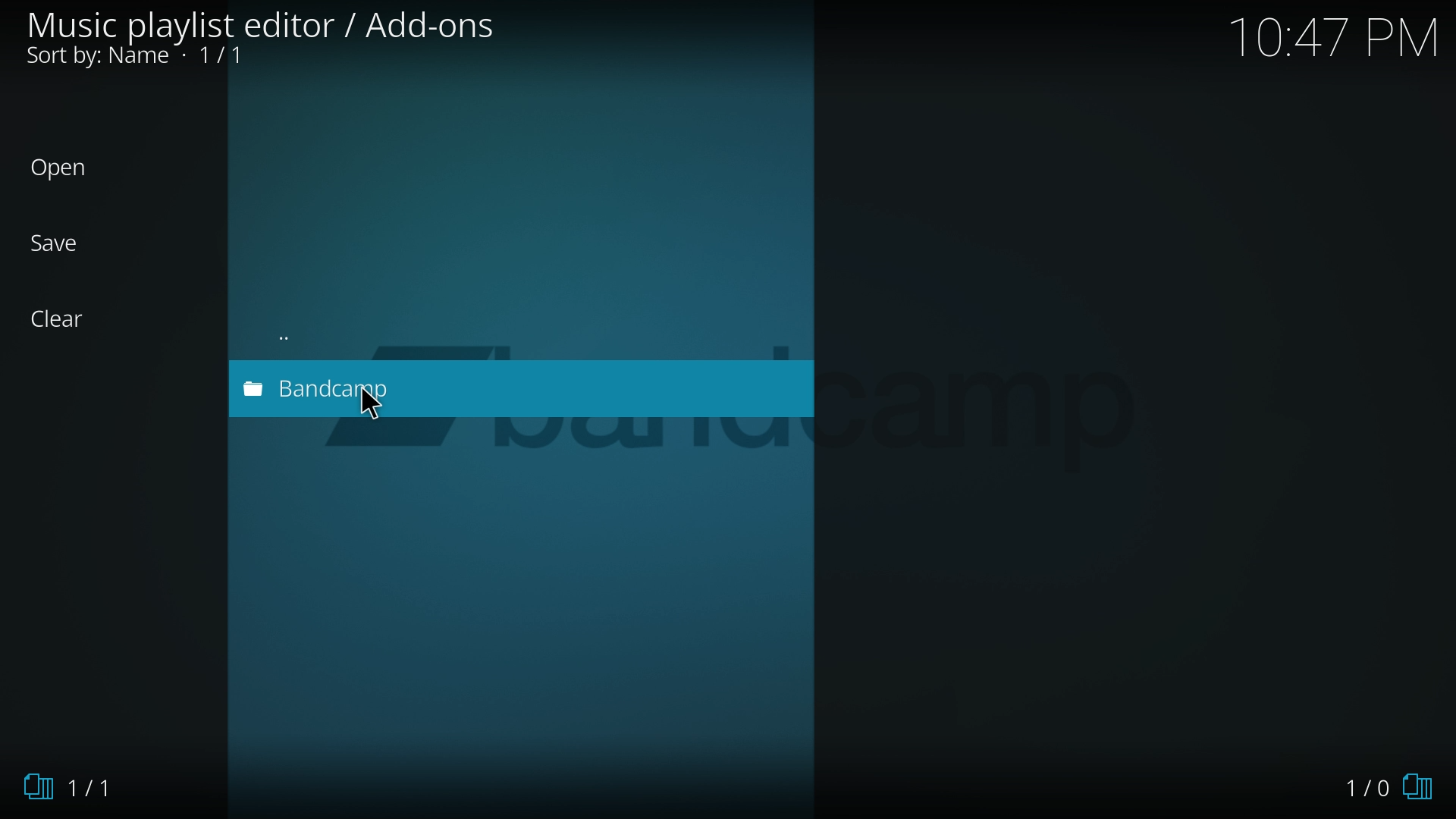 Image resolution: width=1456 pixels, height=819 pixels. What do you see at coordinates (384, 413) in the screenshot?
I see `Cursor` at bounding box center [384, 413].